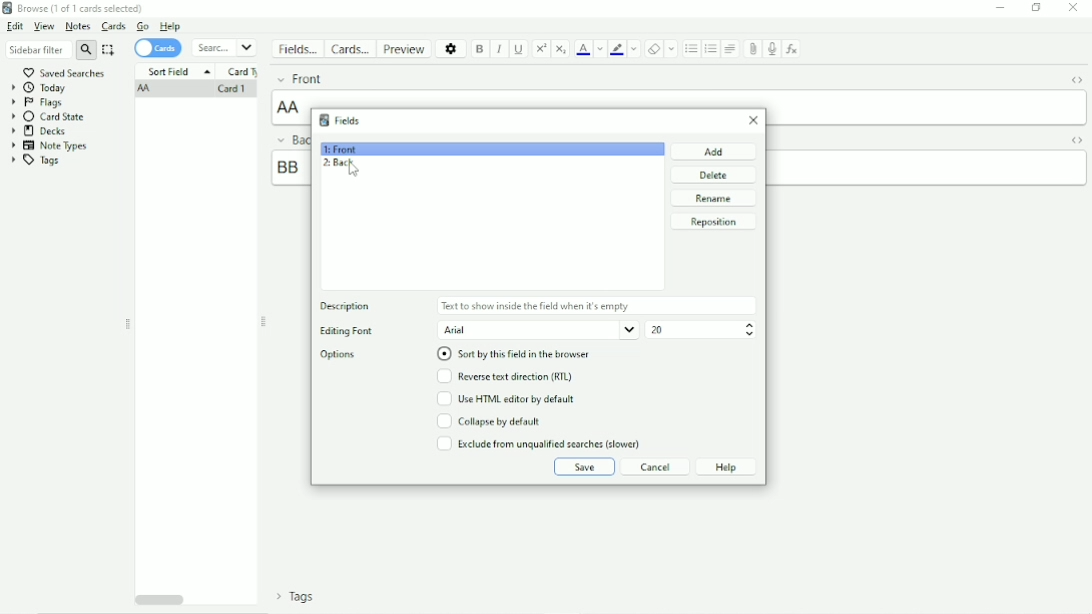 The image size is (1092, 614). I want to click on AA, so click(146, 90).